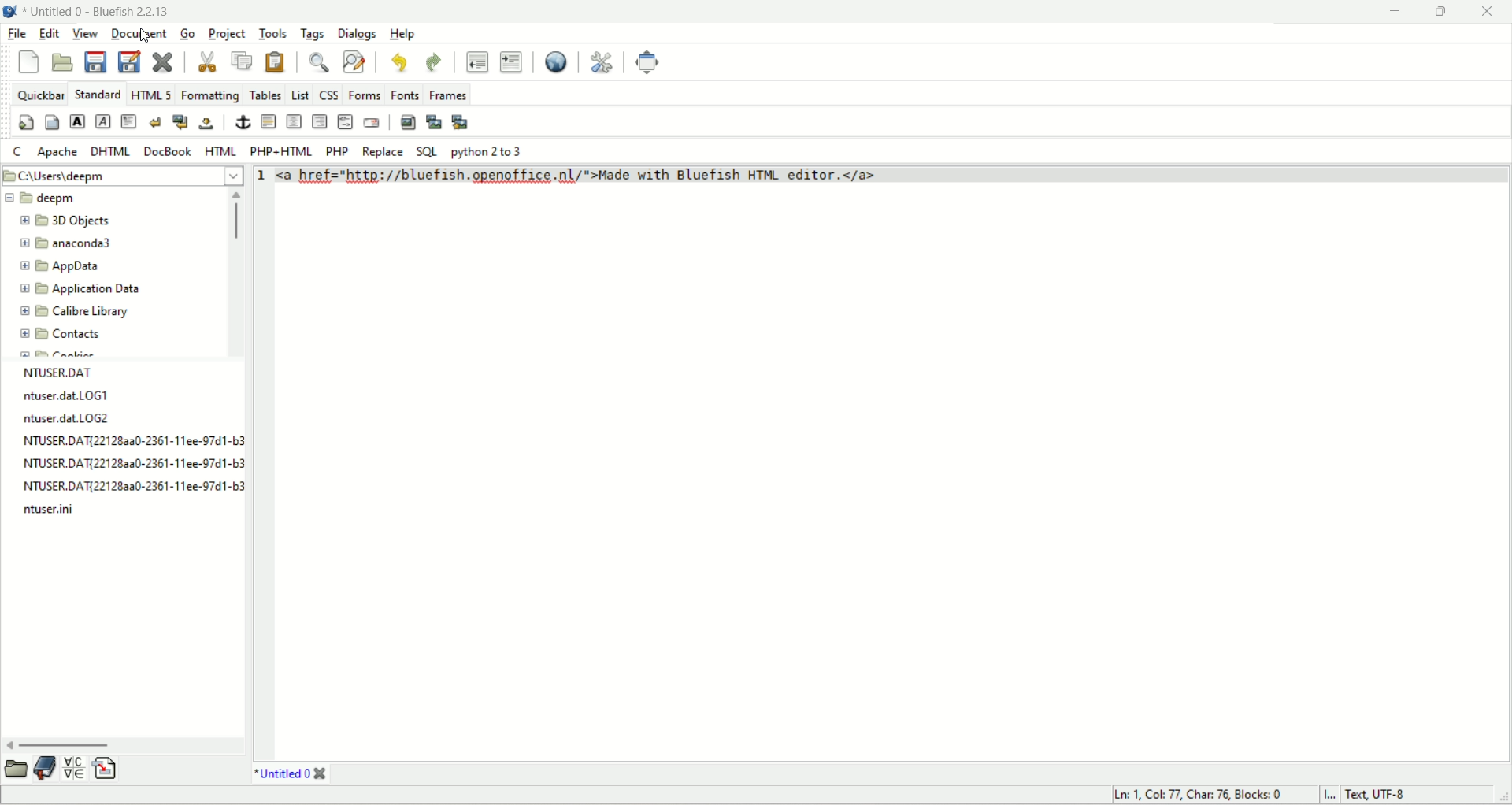 The width and height of the screenshot is (1512, 805). Describe the element at coordinates (321, 62) in the screenshot. I see `show find bar` at that location.